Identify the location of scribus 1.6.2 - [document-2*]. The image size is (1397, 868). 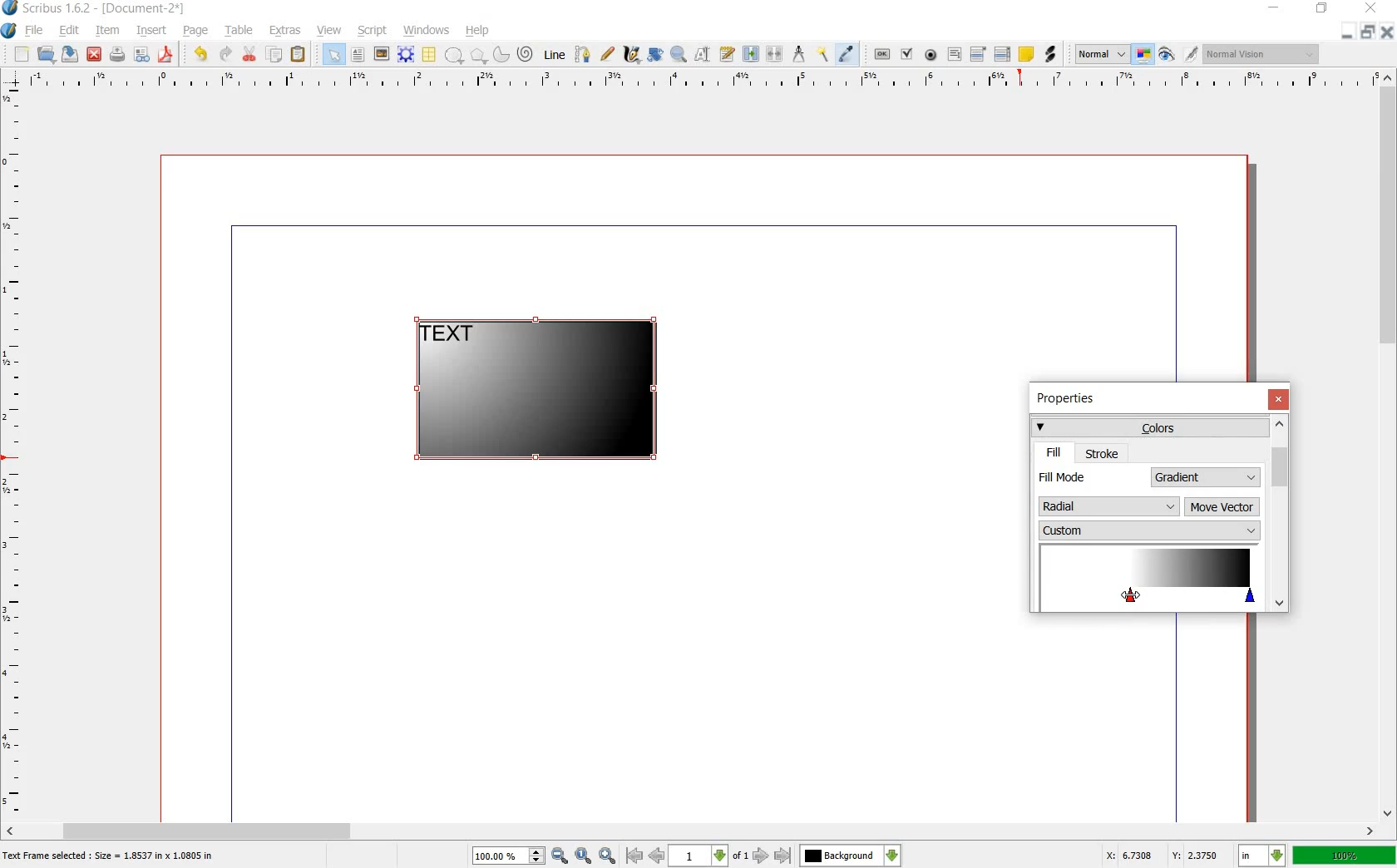
(110, 9).